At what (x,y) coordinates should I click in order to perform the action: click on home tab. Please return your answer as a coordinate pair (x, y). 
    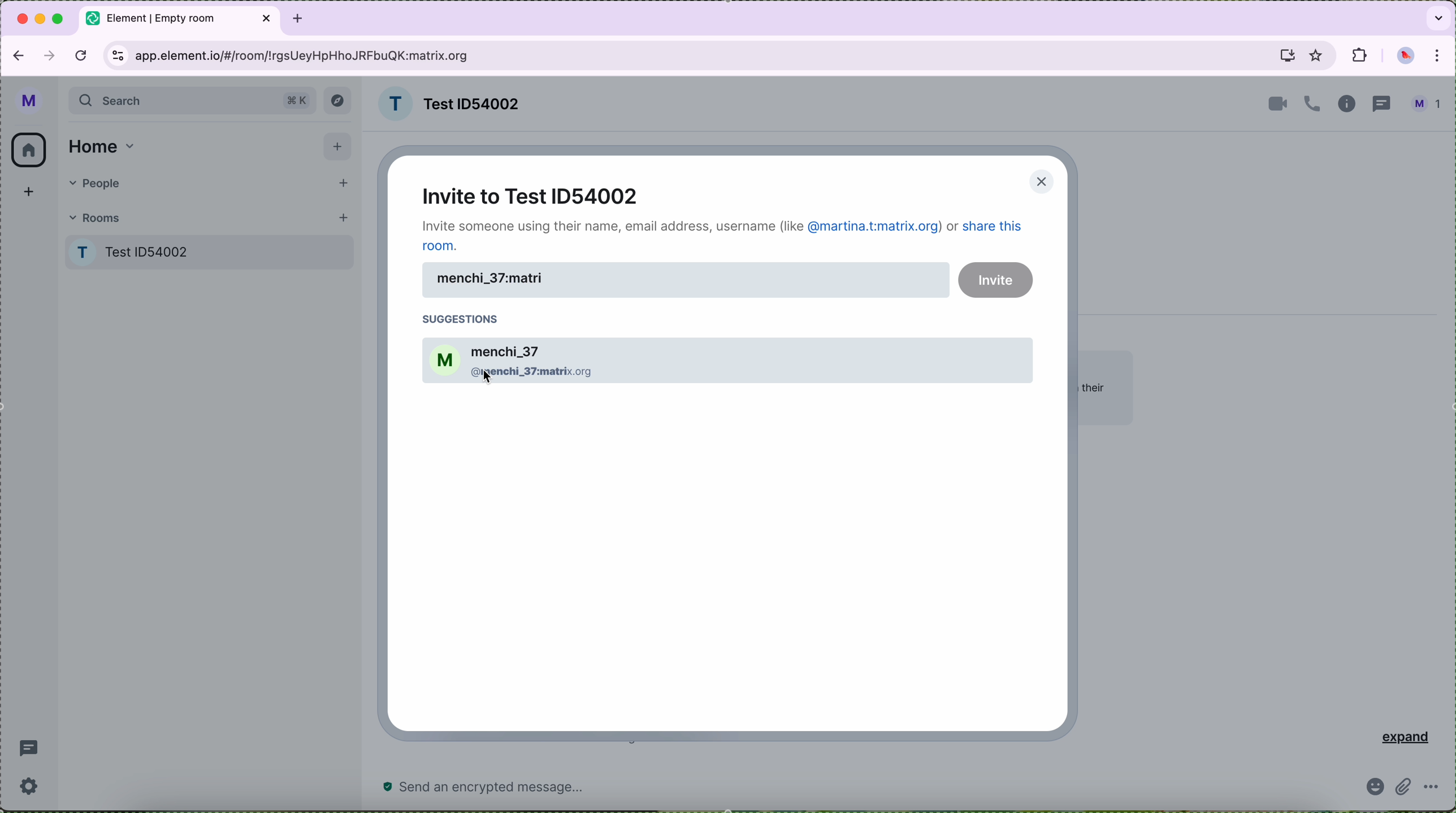
    Looking at the image, I should click on (100, 144).